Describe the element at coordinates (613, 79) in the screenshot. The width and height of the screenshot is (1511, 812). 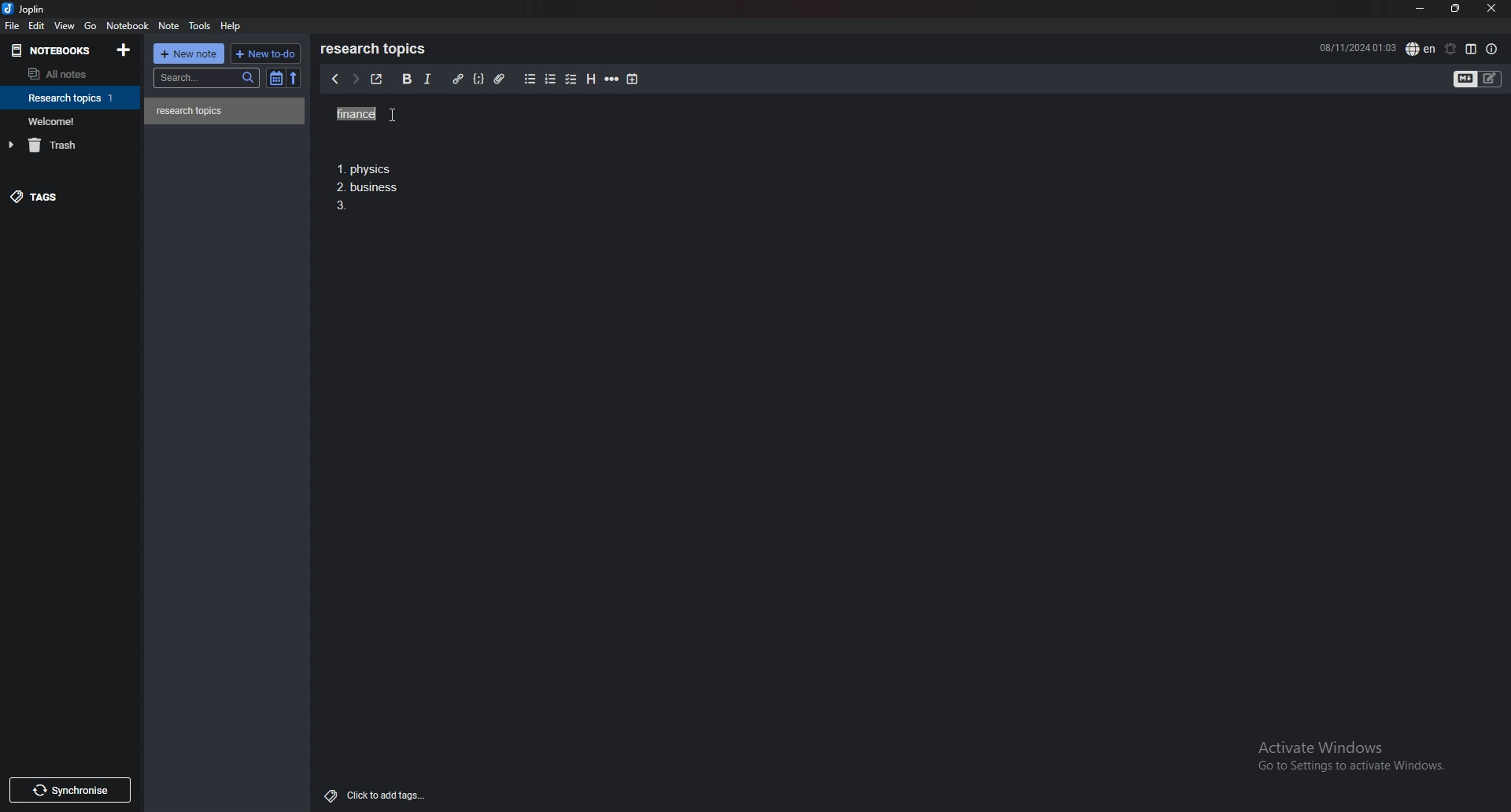
I see `horizontal rule` at that location.